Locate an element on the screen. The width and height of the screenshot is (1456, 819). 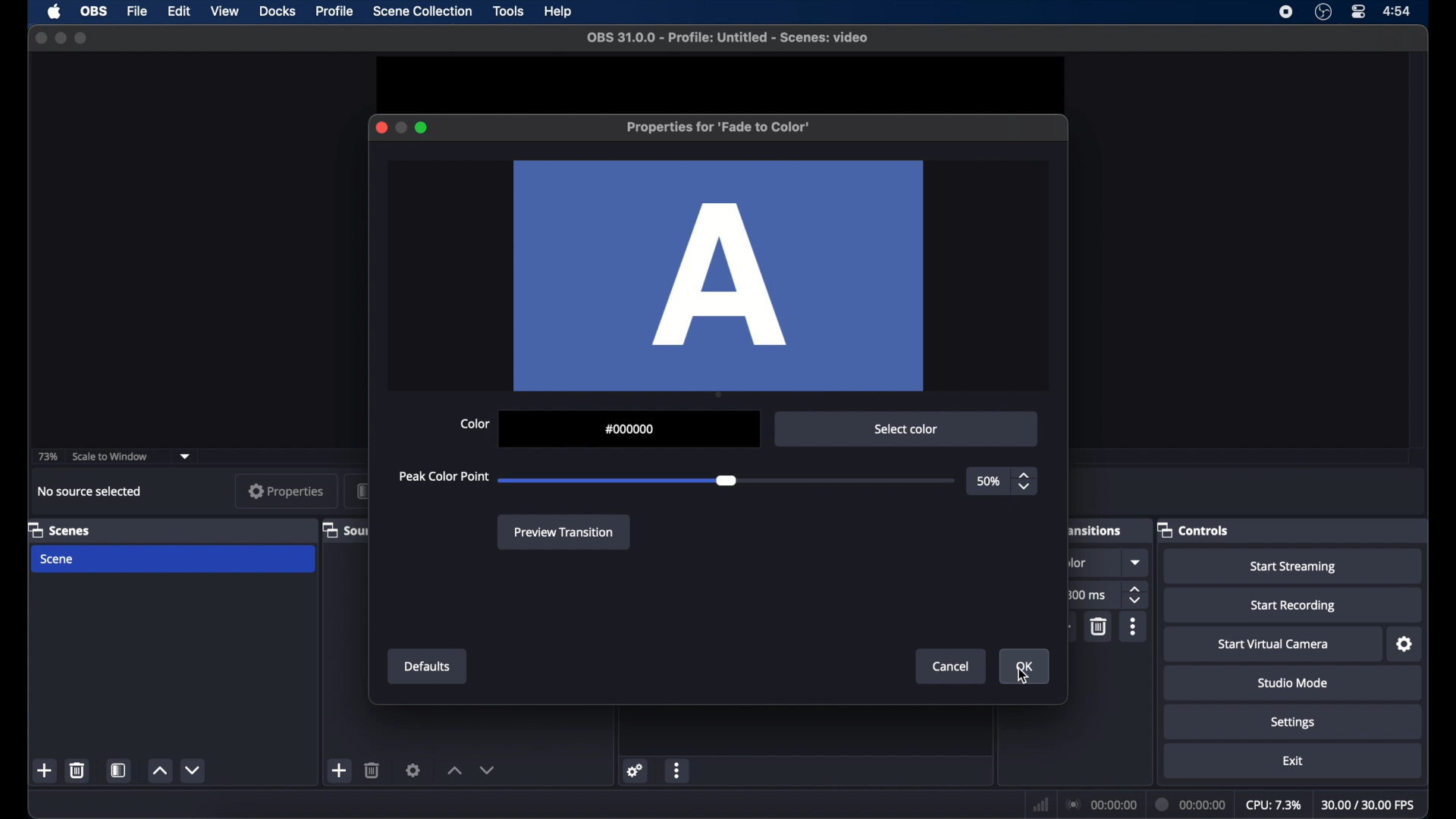
settings is located at coordinates (1293, 722).